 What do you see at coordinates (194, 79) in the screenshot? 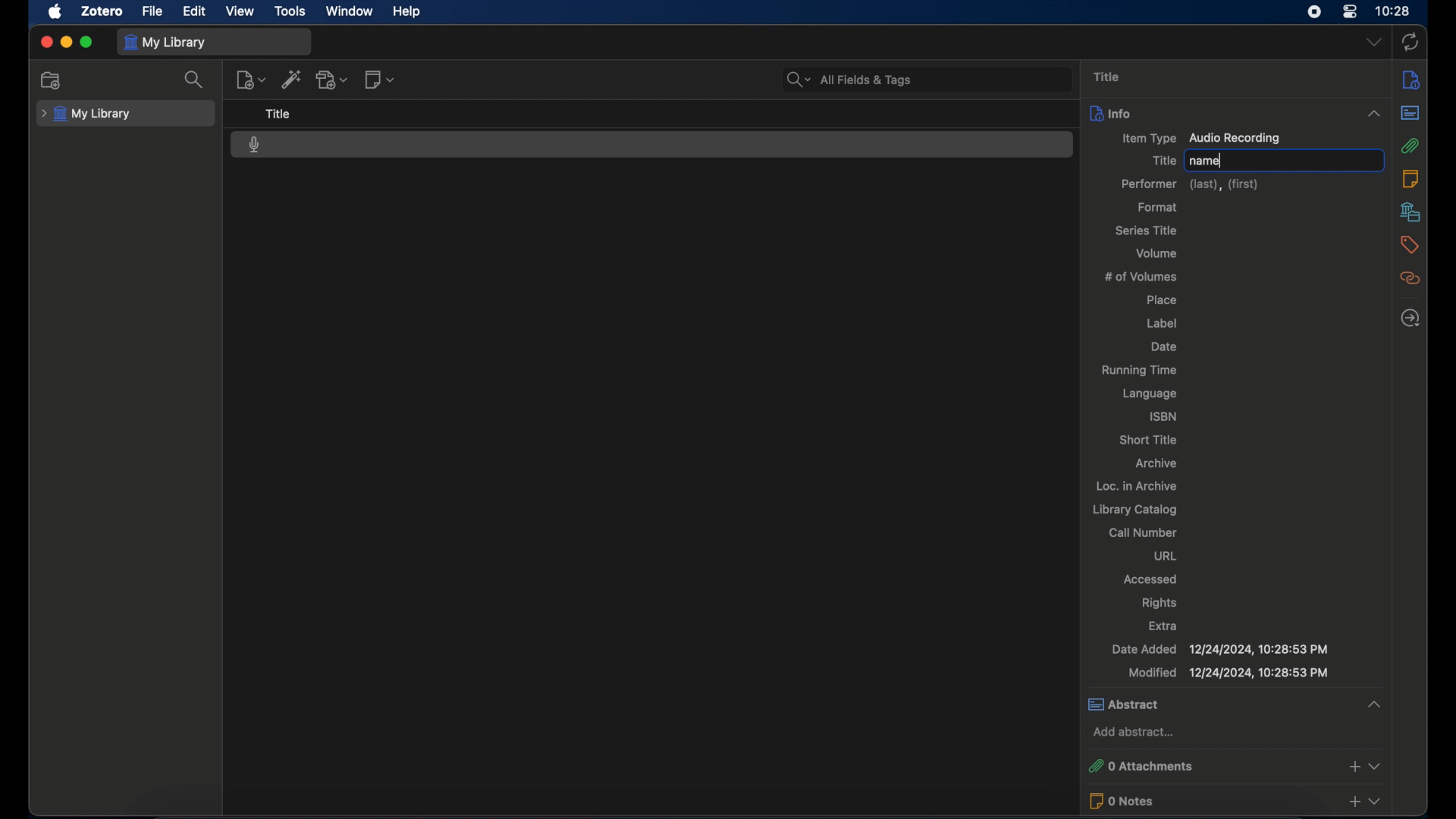
I see `search` at bounding box center [194, 79].